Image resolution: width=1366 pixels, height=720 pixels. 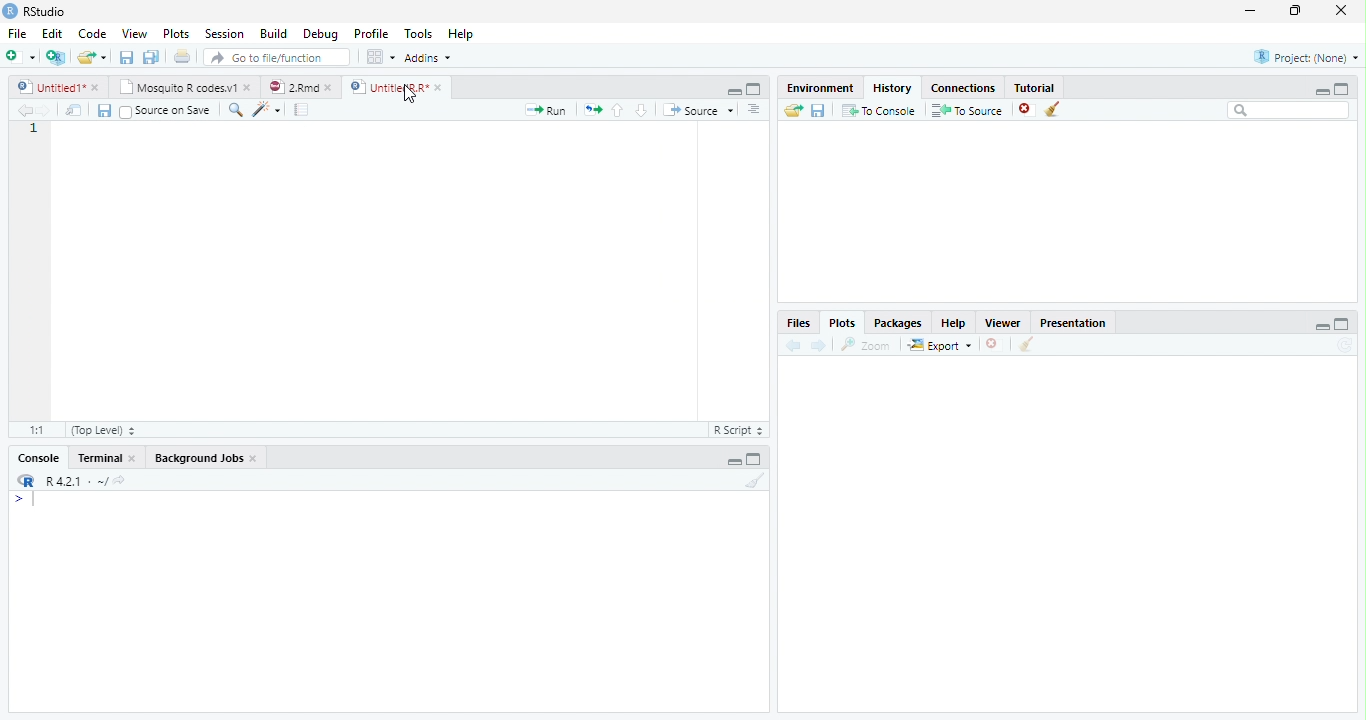 What do you see at coordinates (968, 110) in the screenshot?
I see `To Source` at bounding box center [968, 110].